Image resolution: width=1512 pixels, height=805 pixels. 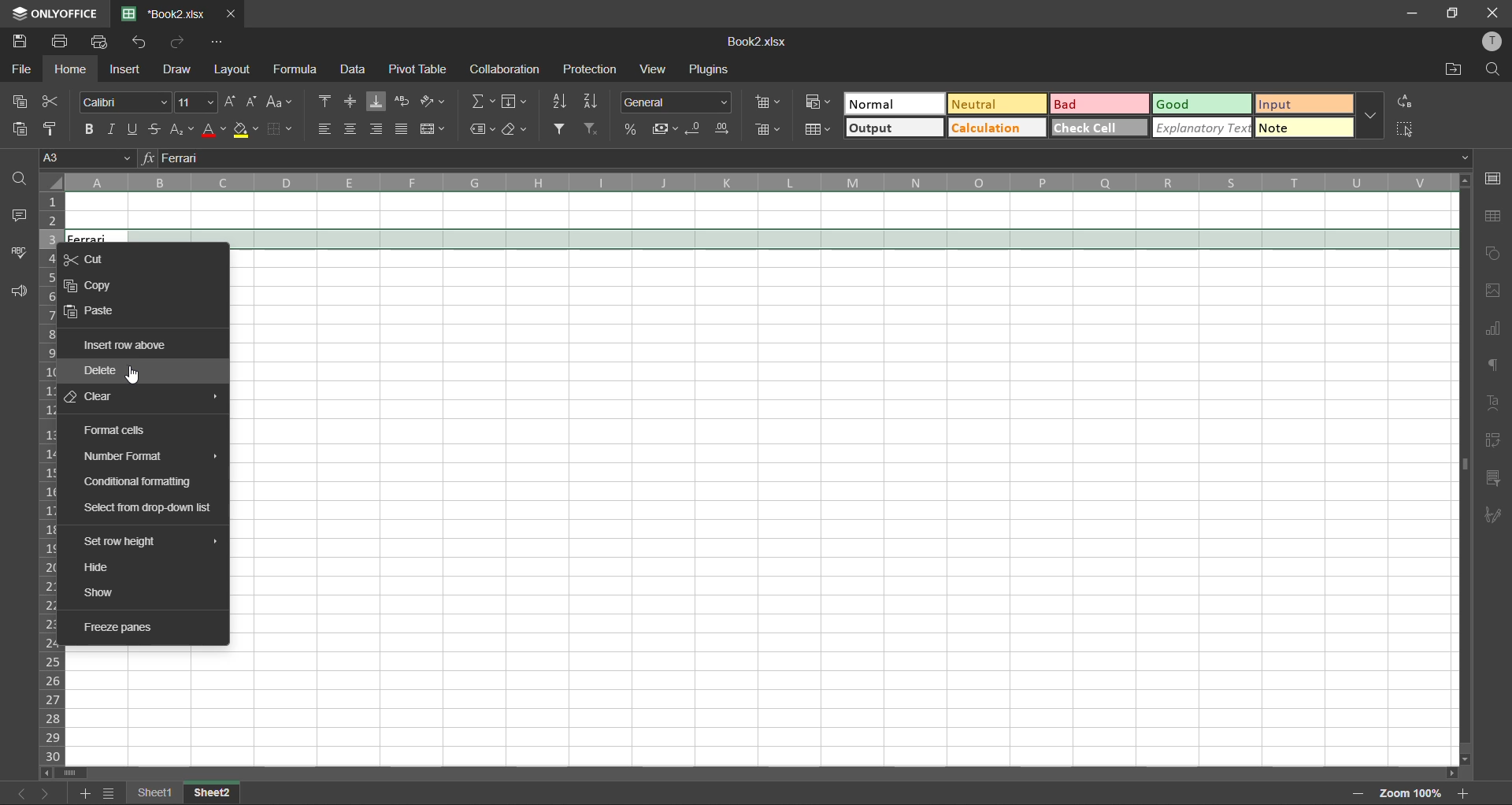 What do you see at coordinates (1410, 793) in the screenshot?
I see `zoom 100%` at bounding box center [1410, 793].